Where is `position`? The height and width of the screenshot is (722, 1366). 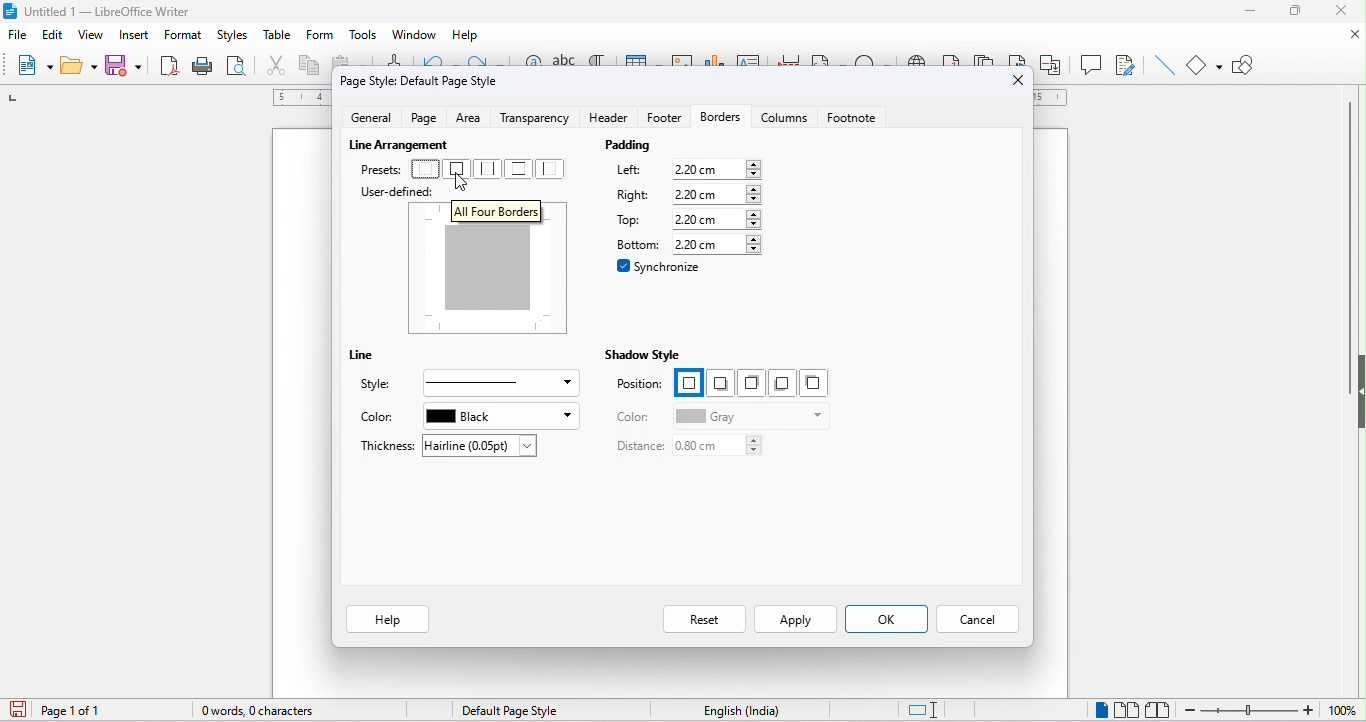 position is located at coordinates (641, 386).